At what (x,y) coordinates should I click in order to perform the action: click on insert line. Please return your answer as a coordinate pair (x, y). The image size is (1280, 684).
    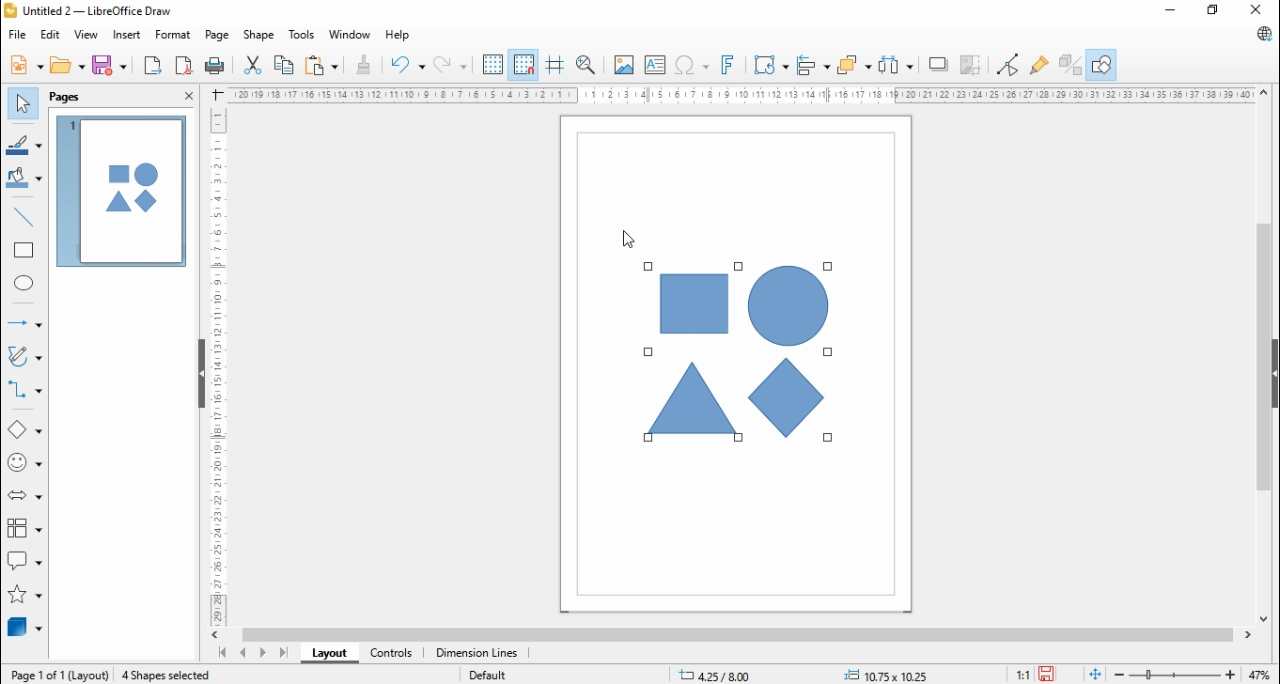
    Looking at the image, I should click on (27, 217).